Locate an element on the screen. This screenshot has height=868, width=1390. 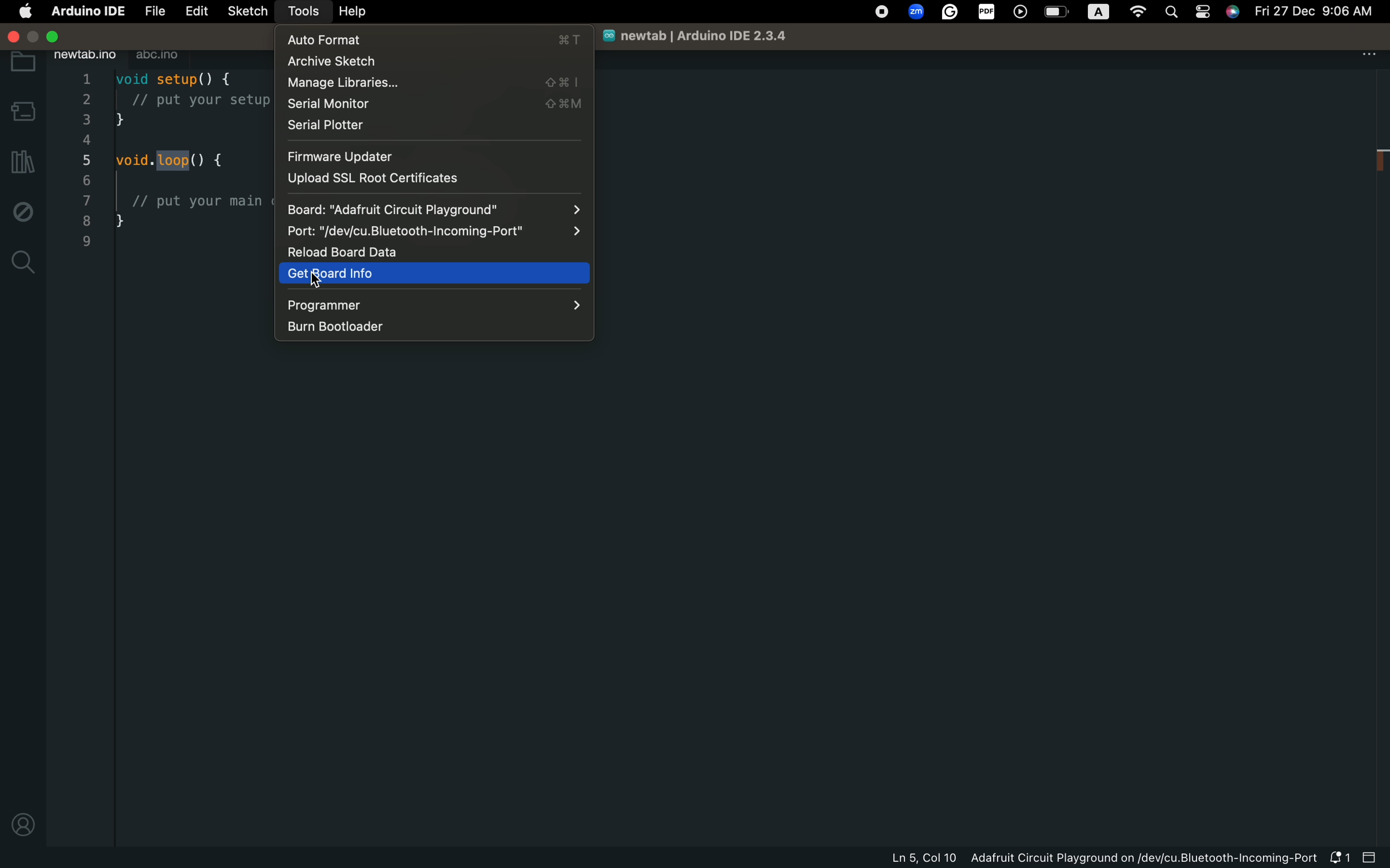
Siri is located at coordinates (1234, 13).